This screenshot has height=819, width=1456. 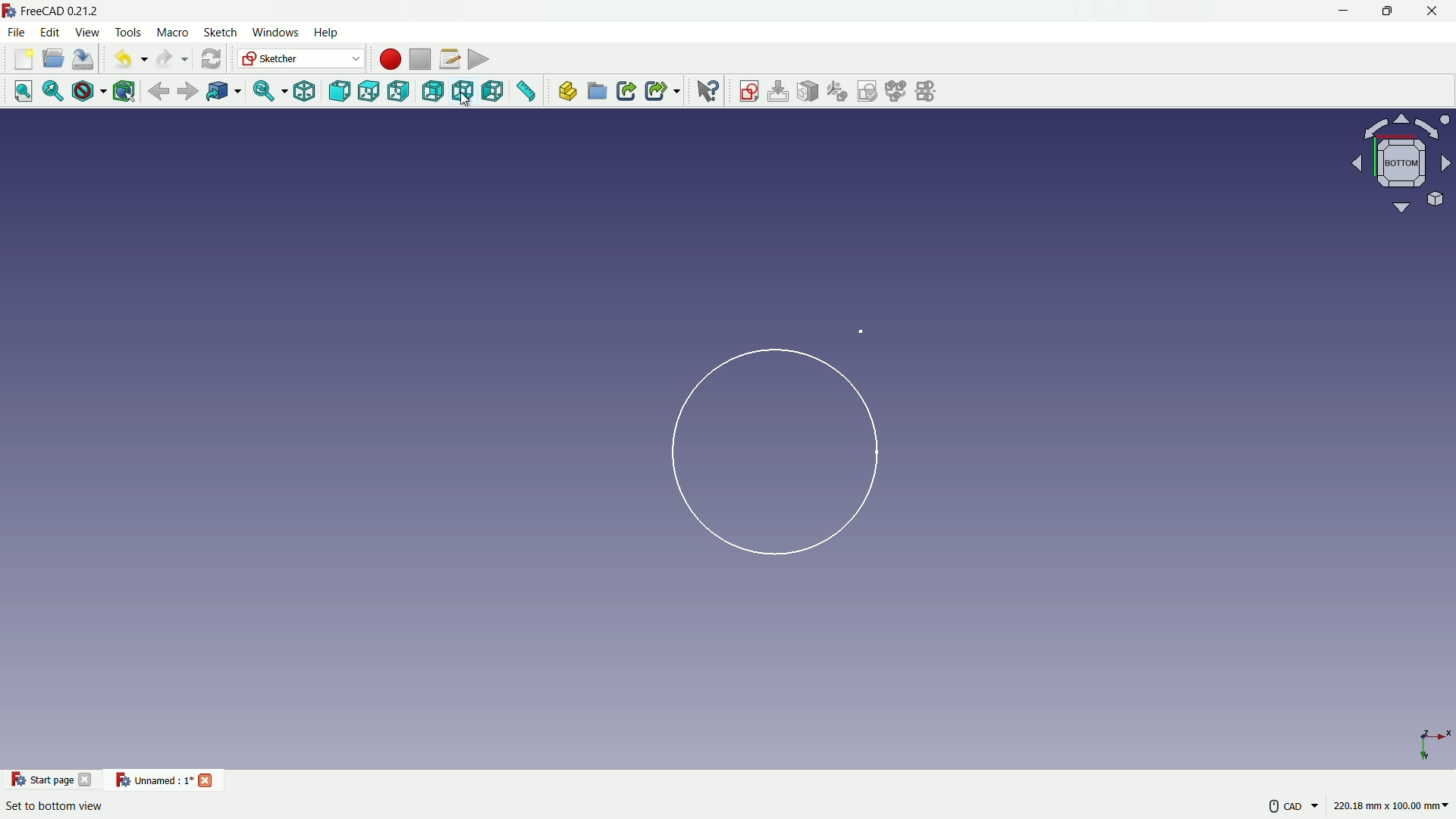 I want to click on front view, so click(x=340, y=92).